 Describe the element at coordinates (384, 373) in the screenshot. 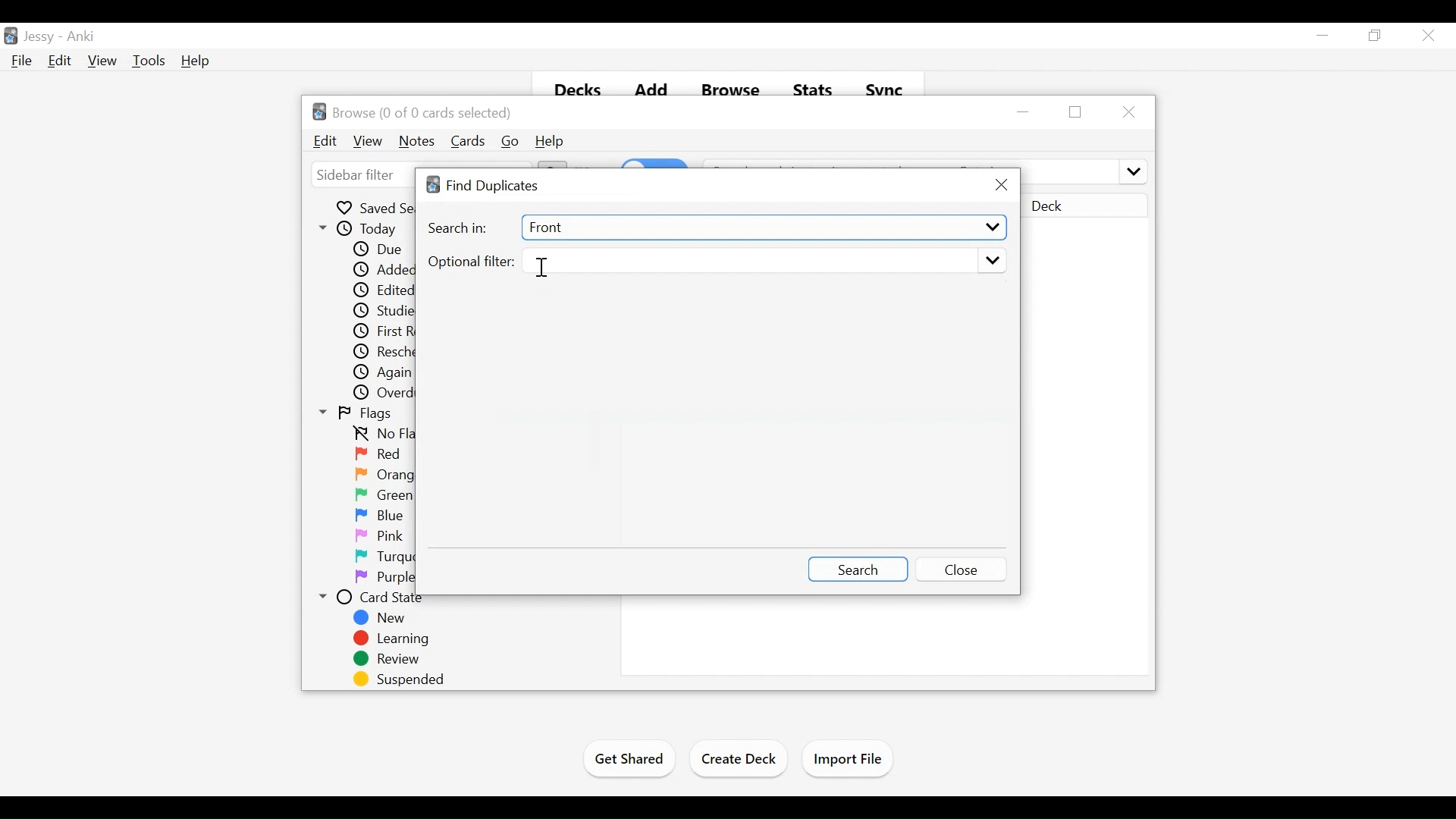

I see `Again` at that location.